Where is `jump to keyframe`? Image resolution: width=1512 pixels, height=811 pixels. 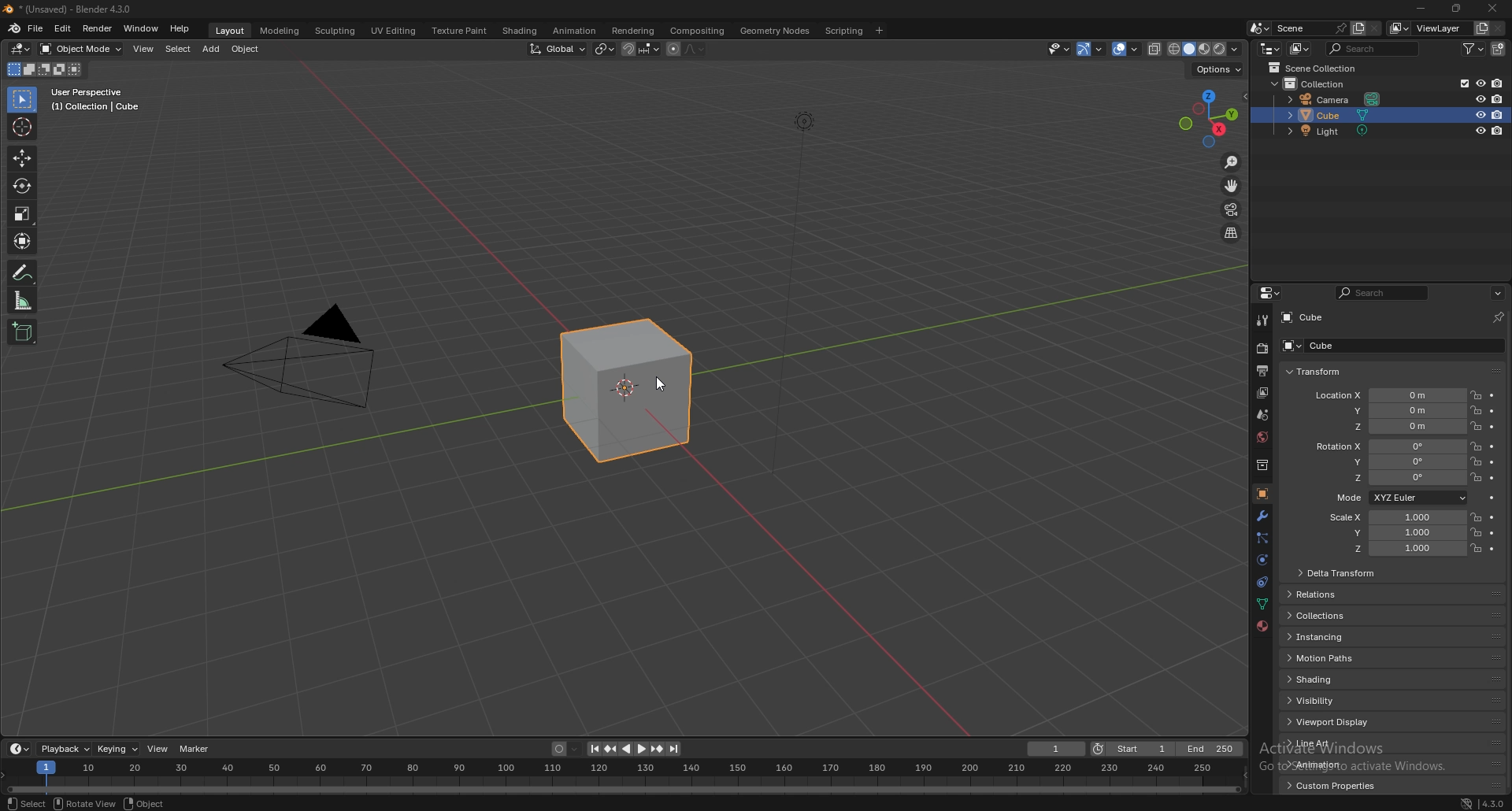
jump to keyframe is located at coordinates (612, 750).